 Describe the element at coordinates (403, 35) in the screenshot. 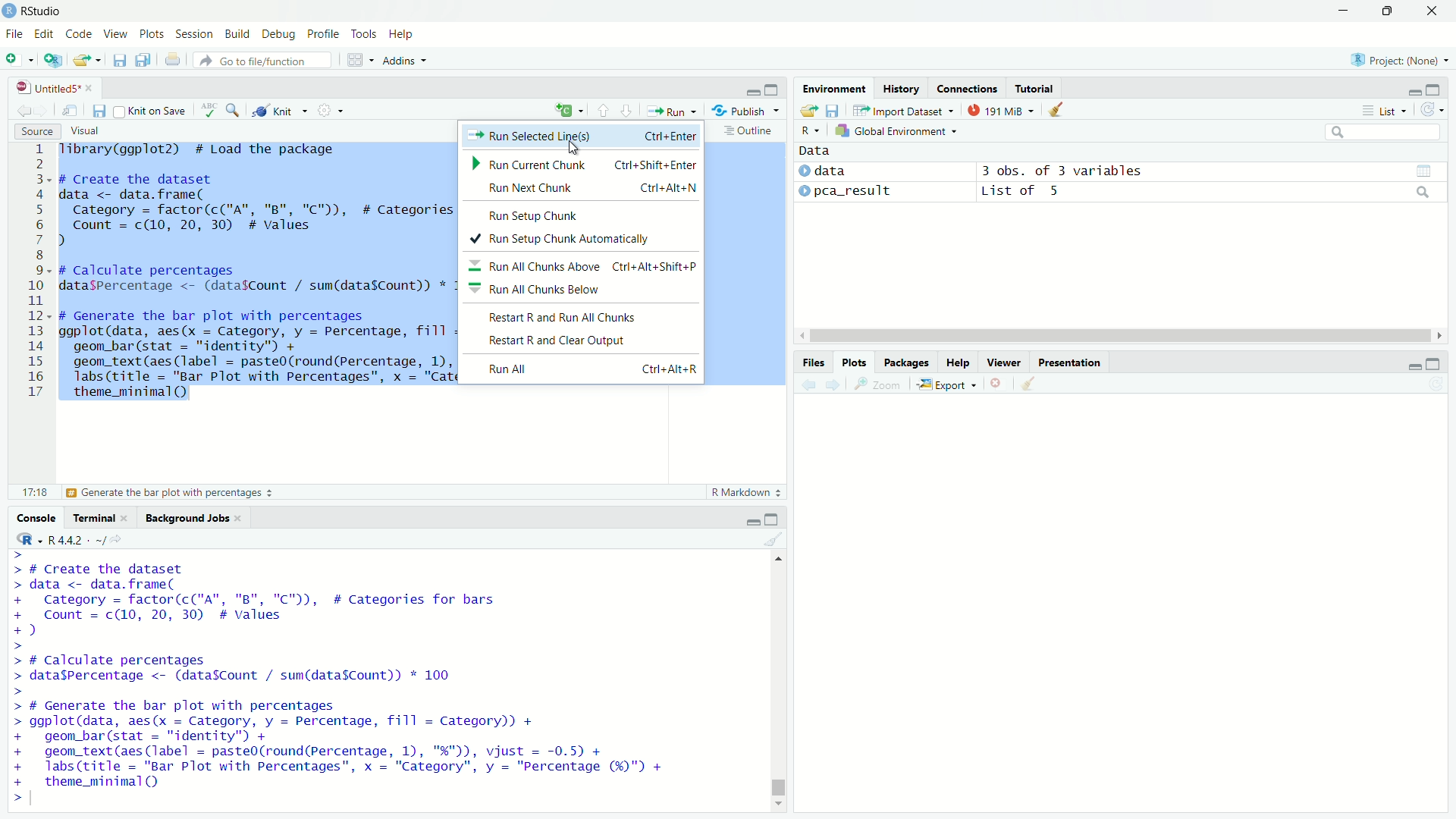

I see `help` at that location.